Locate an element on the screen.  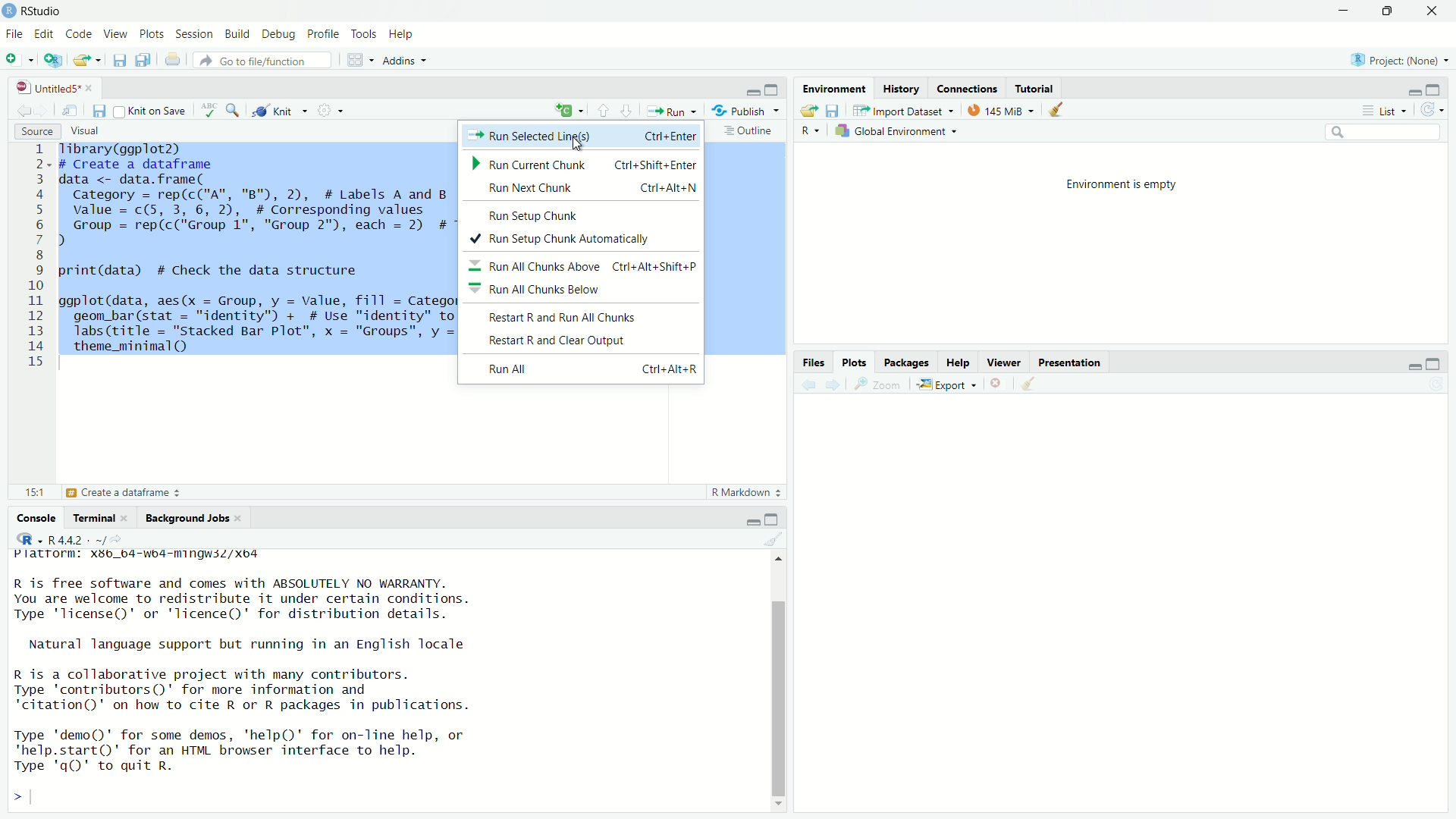
Settings is located at coordinates (331, 109).